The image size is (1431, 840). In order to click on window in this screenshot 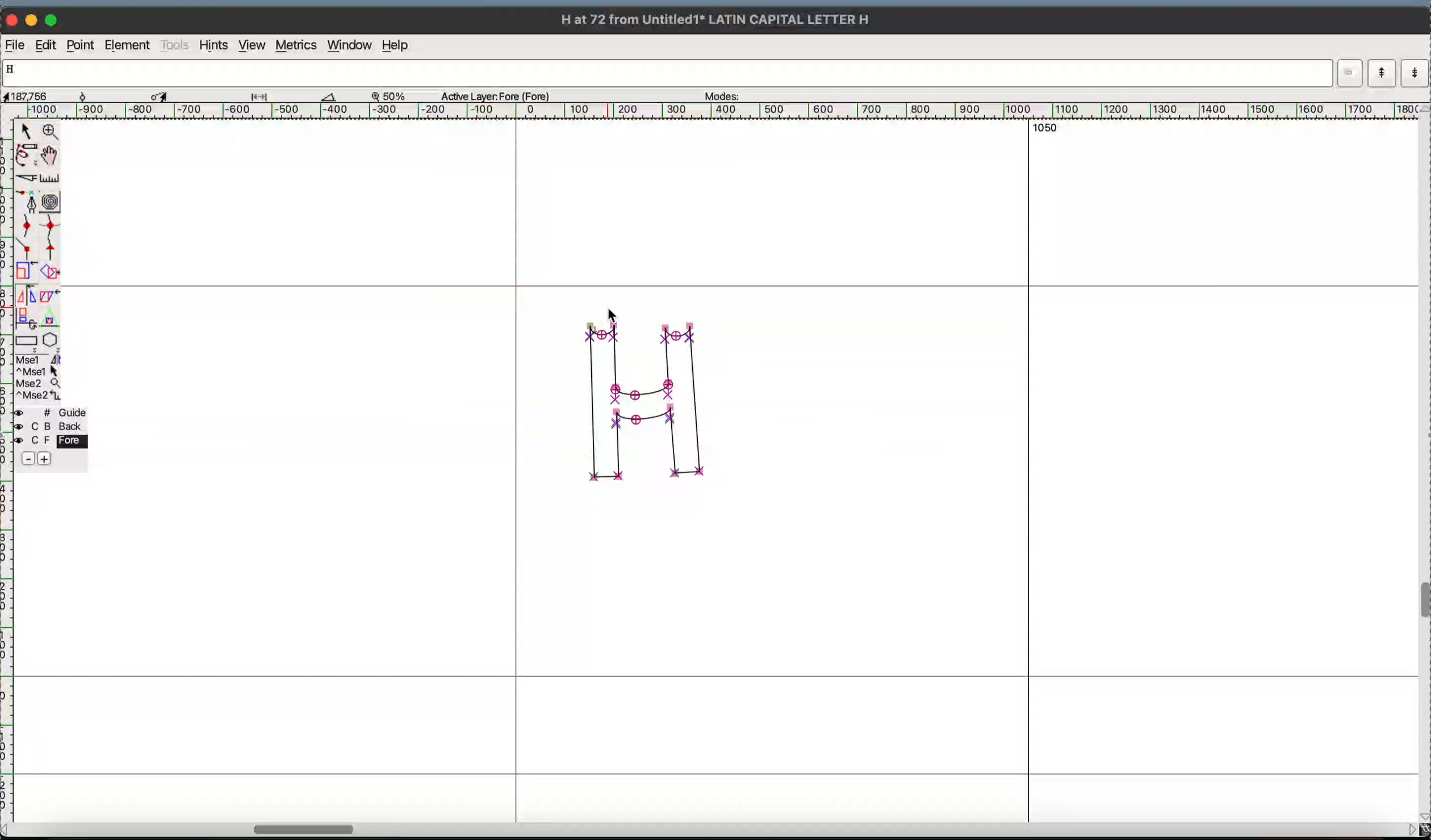, I will do `click(348, 44)`.